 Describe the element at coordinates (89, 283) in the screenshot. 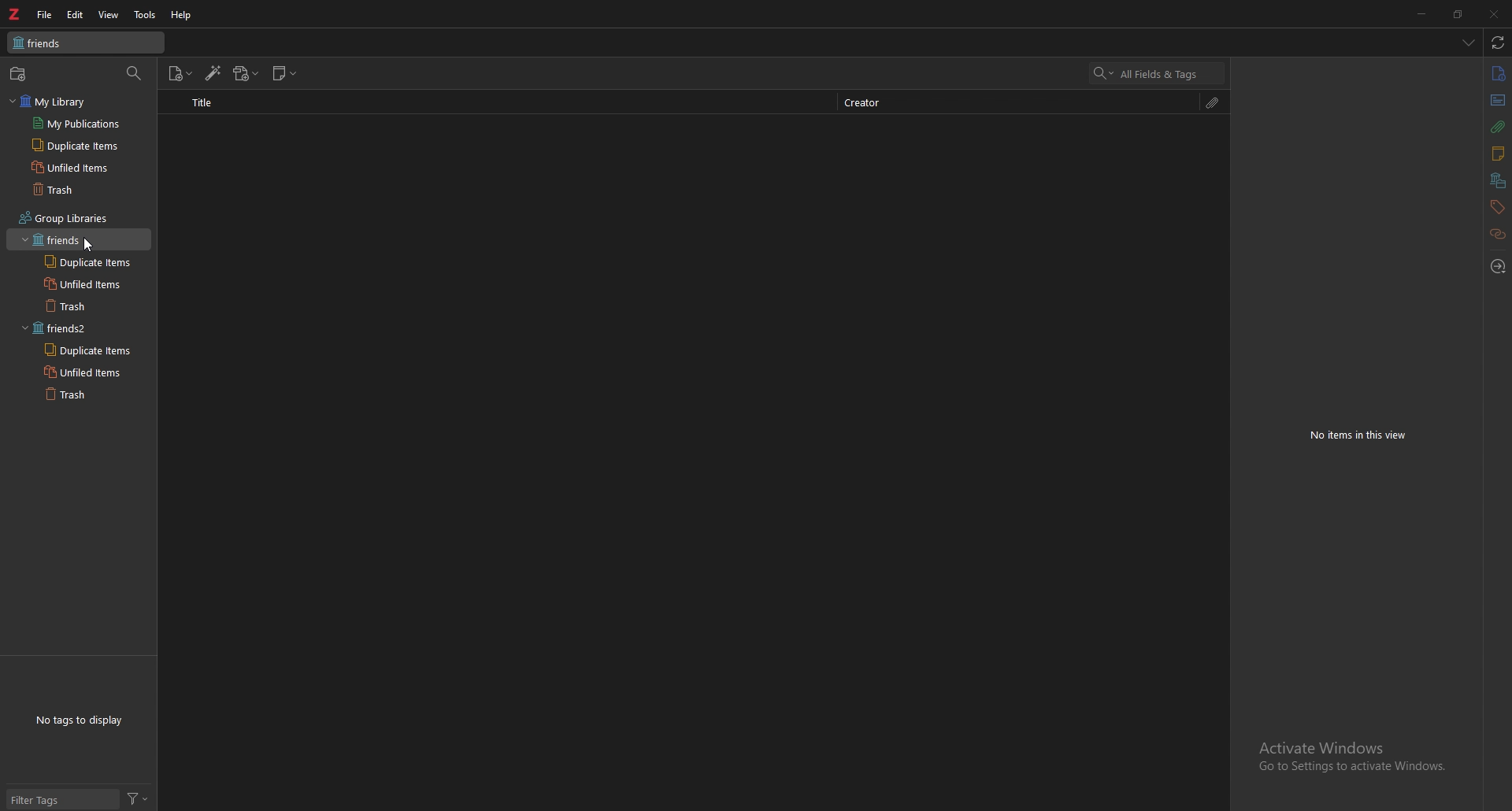

I see `unfiled items` at that location.